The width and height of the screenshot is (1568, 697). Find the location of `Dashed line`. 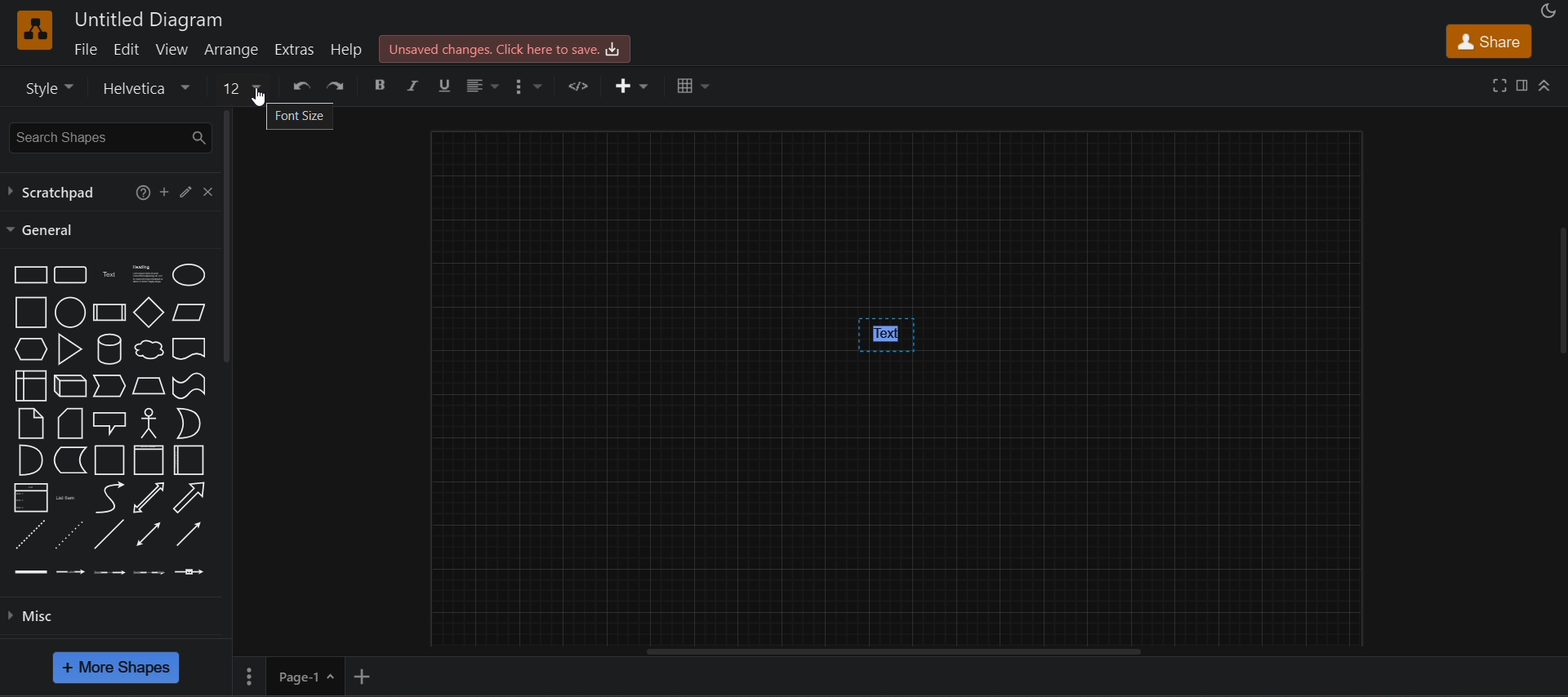

Dashed line is located at coordinates (30, 534).